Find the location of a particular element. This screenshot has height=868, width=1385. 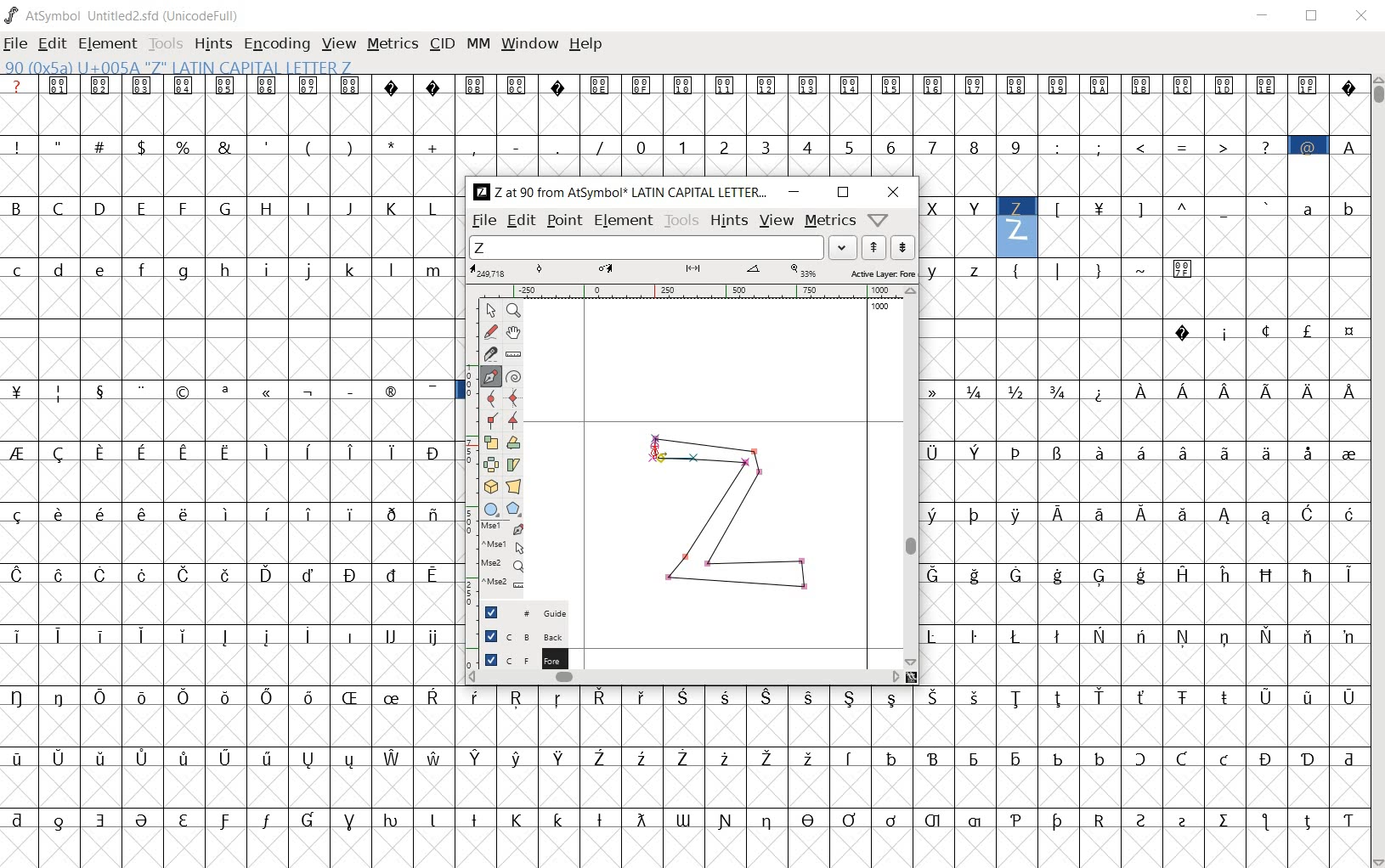

Add a corner point is located at coordinates (490, 420).